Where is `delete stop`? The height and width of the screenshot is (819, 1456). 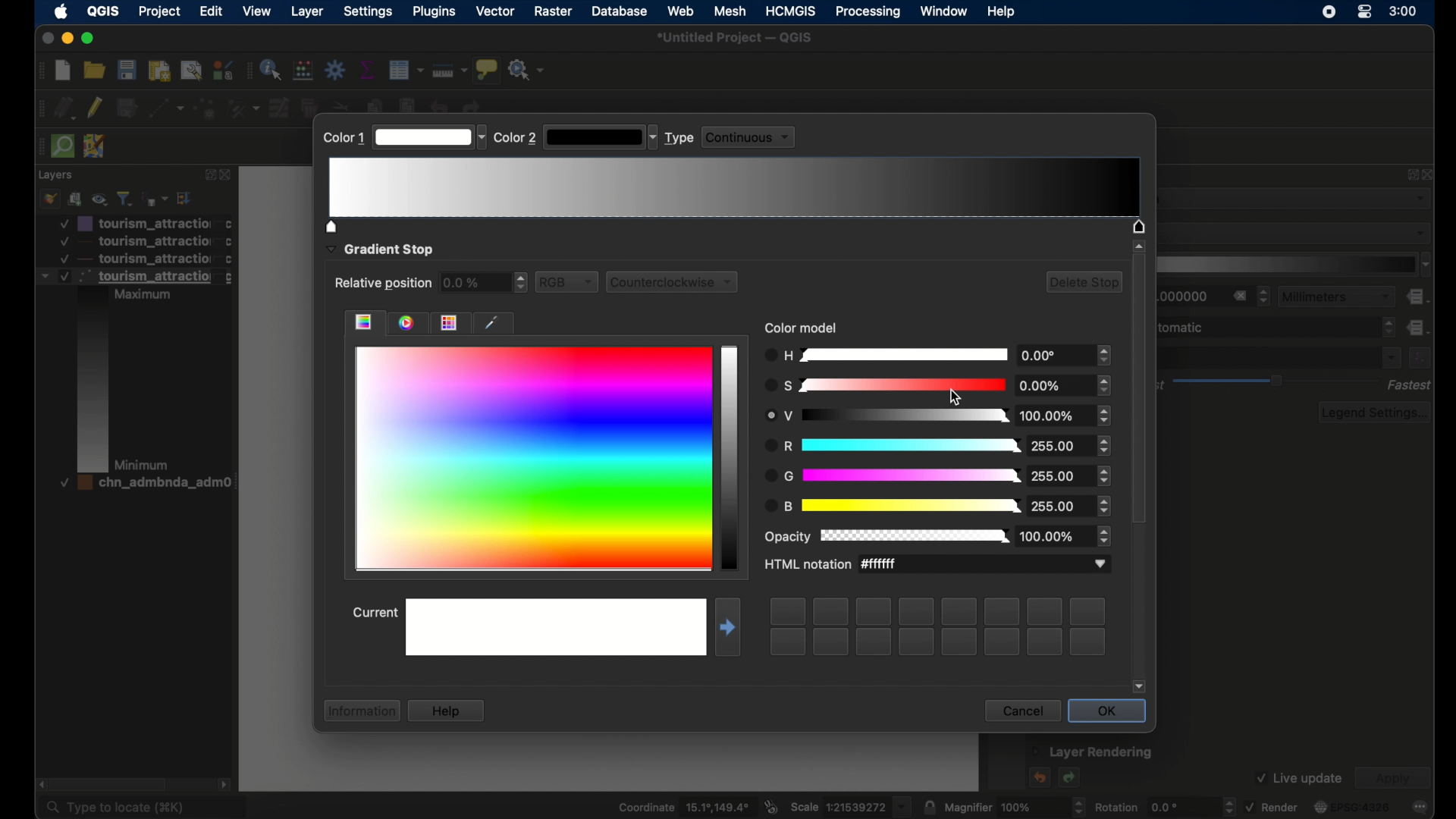
delete stop is located at coordinates (1084, 284).